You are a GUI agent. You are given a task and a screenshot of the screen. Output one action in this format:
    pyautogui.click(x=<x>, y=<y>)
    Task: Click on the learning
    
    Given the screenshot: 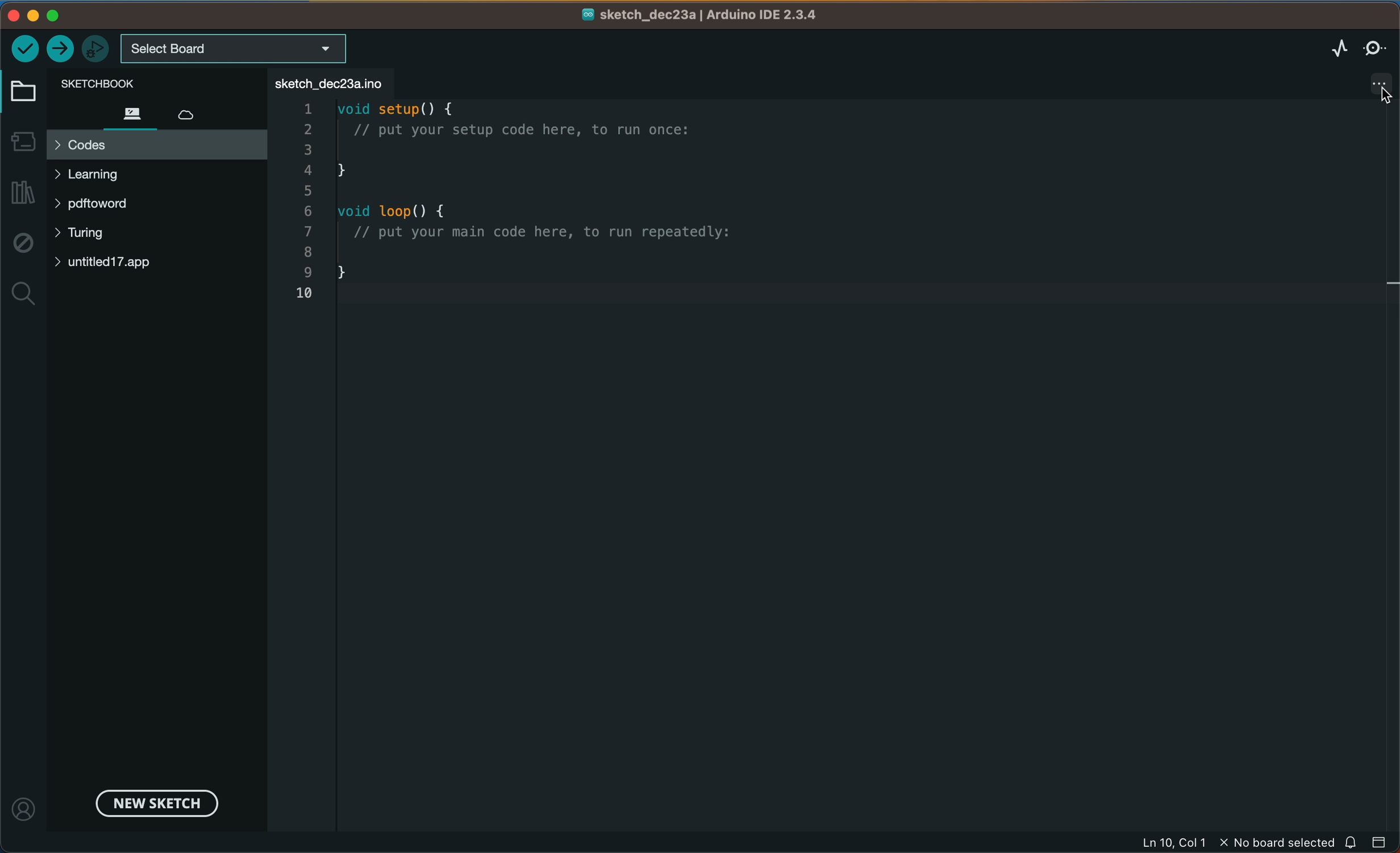 What is the action you would take?
    pyautogui.click(x=111, y=174)
    